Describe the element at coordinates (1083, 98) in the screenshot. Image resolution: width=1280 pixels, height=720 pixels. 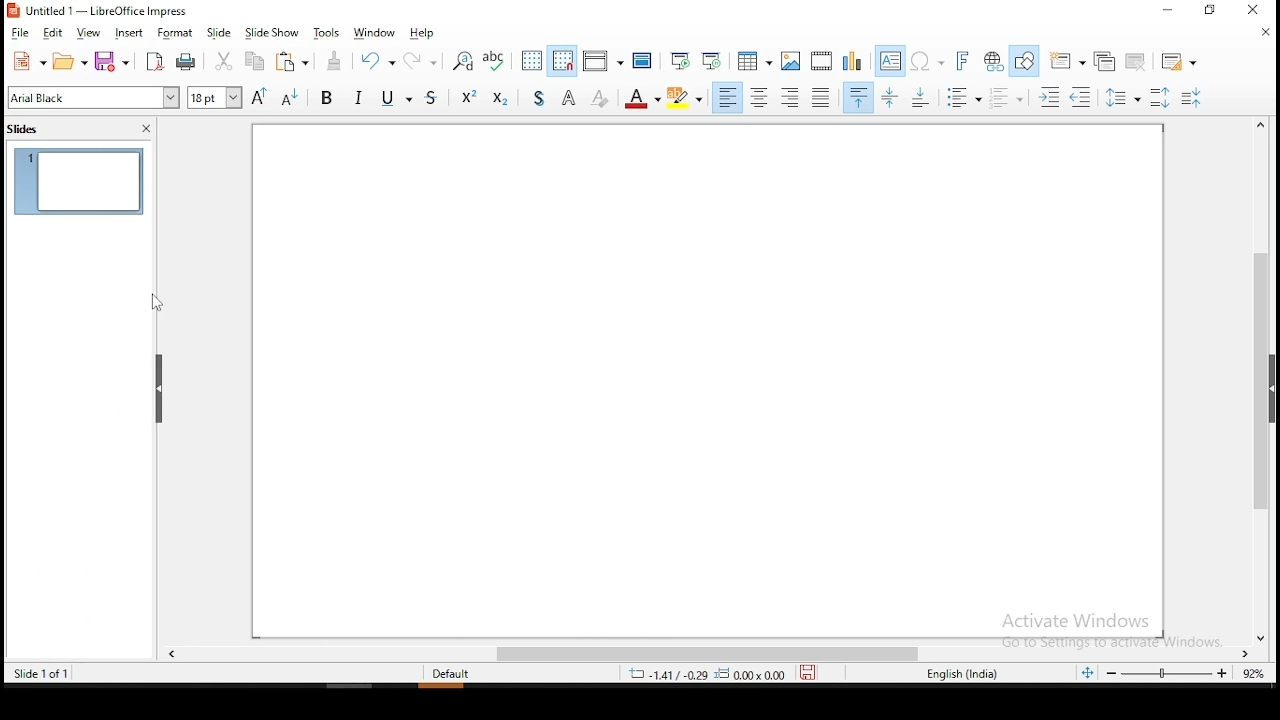
I see `decrease indent` at that location.